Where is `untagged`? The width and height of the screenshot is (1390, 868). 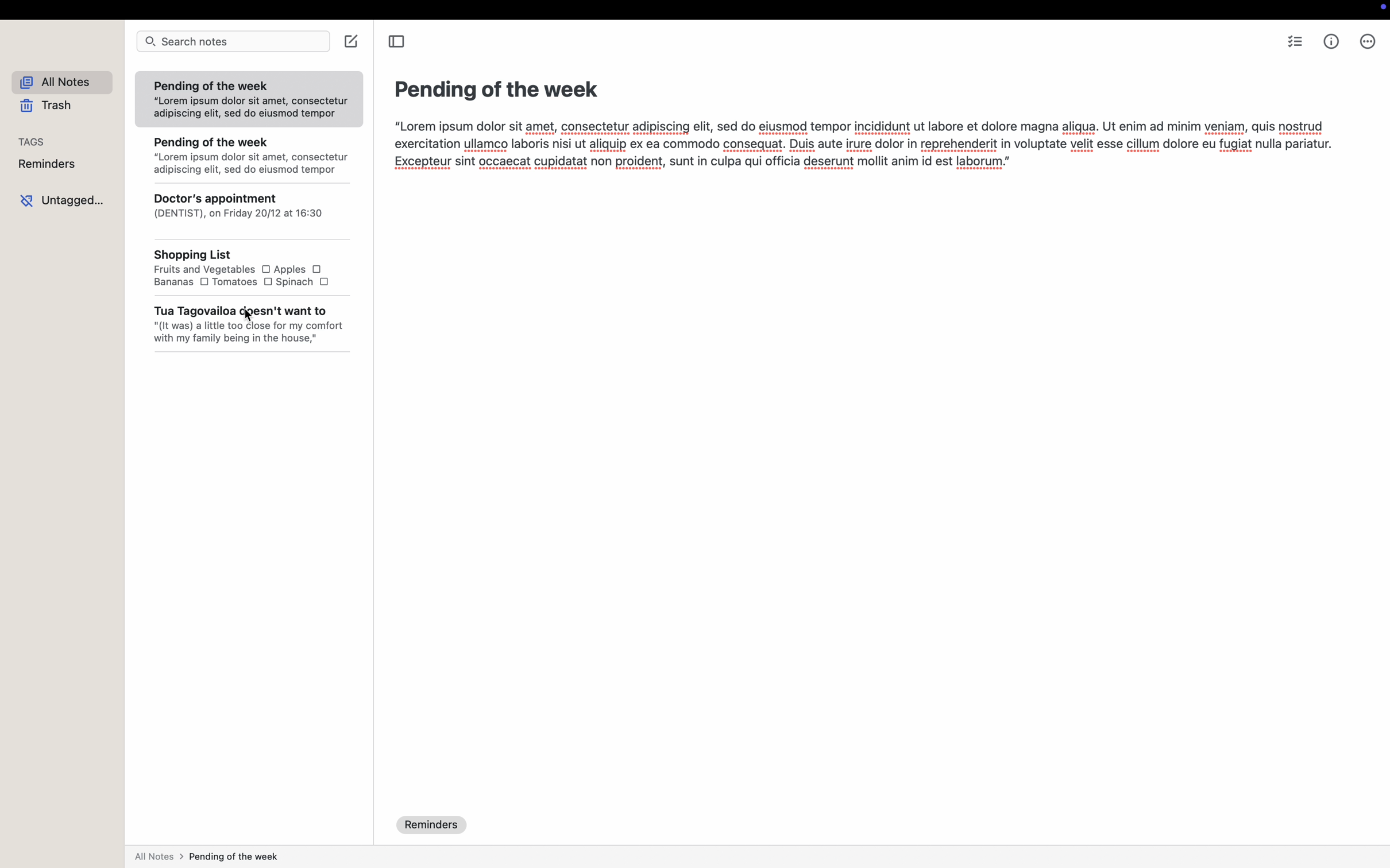 untagged is located at coordinates (60, 198).